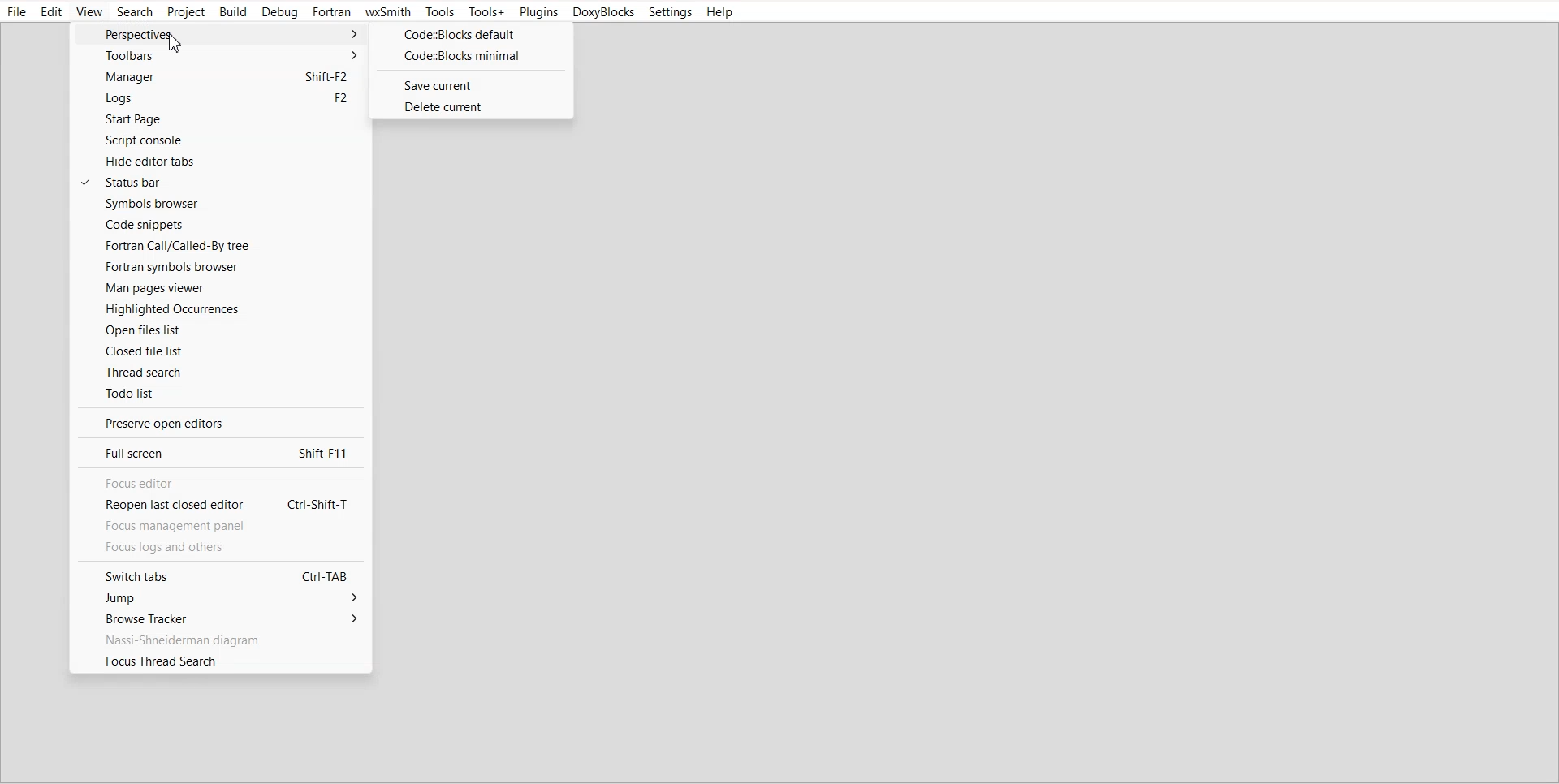 The width and height of the screenshot is (1559, 784). I want to click on wxSmith, so click(388, 12).